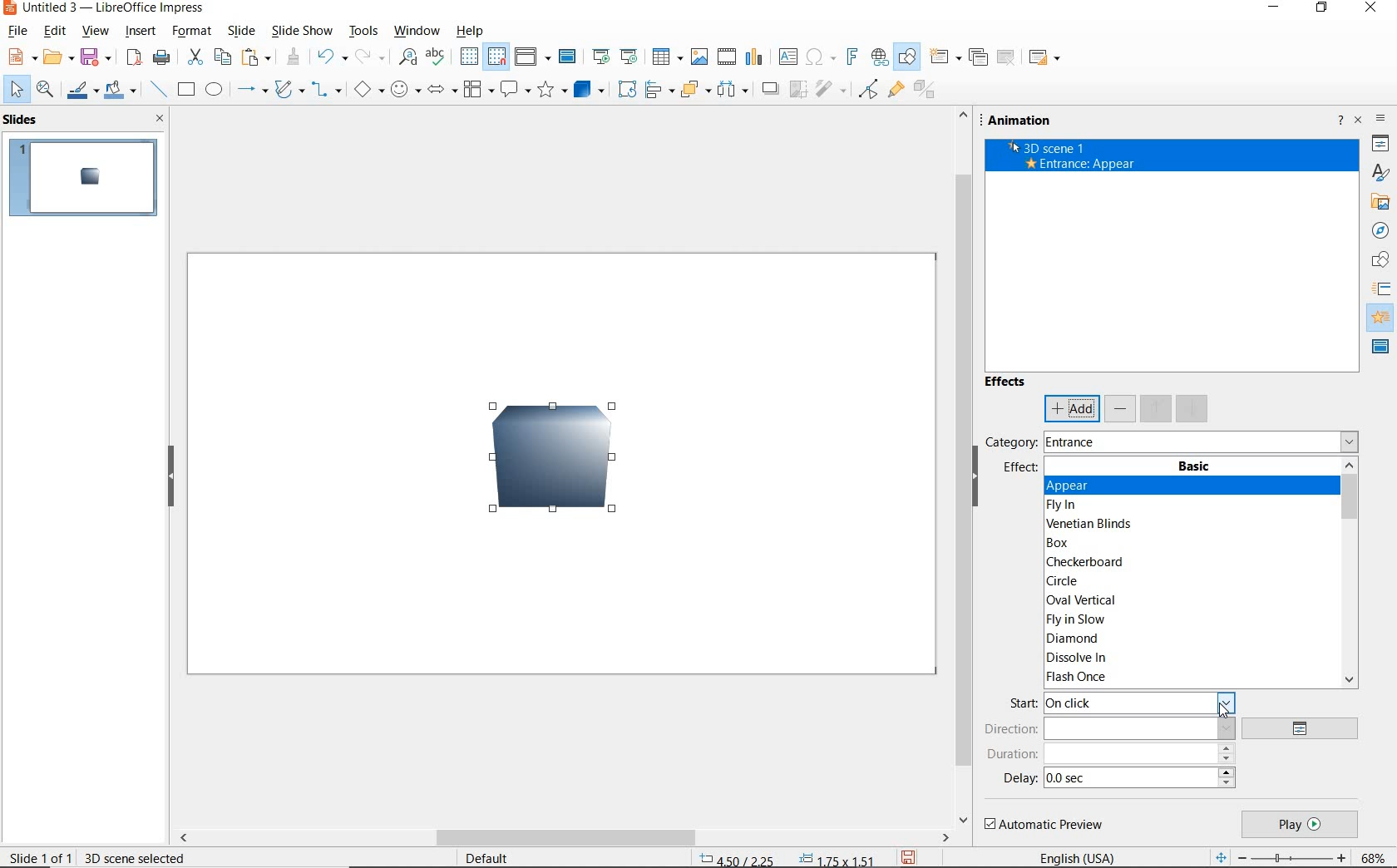  What do you see at coordinates (570, 57) in the screenshot?
I see `master slide` at bounding box center [570, 57].